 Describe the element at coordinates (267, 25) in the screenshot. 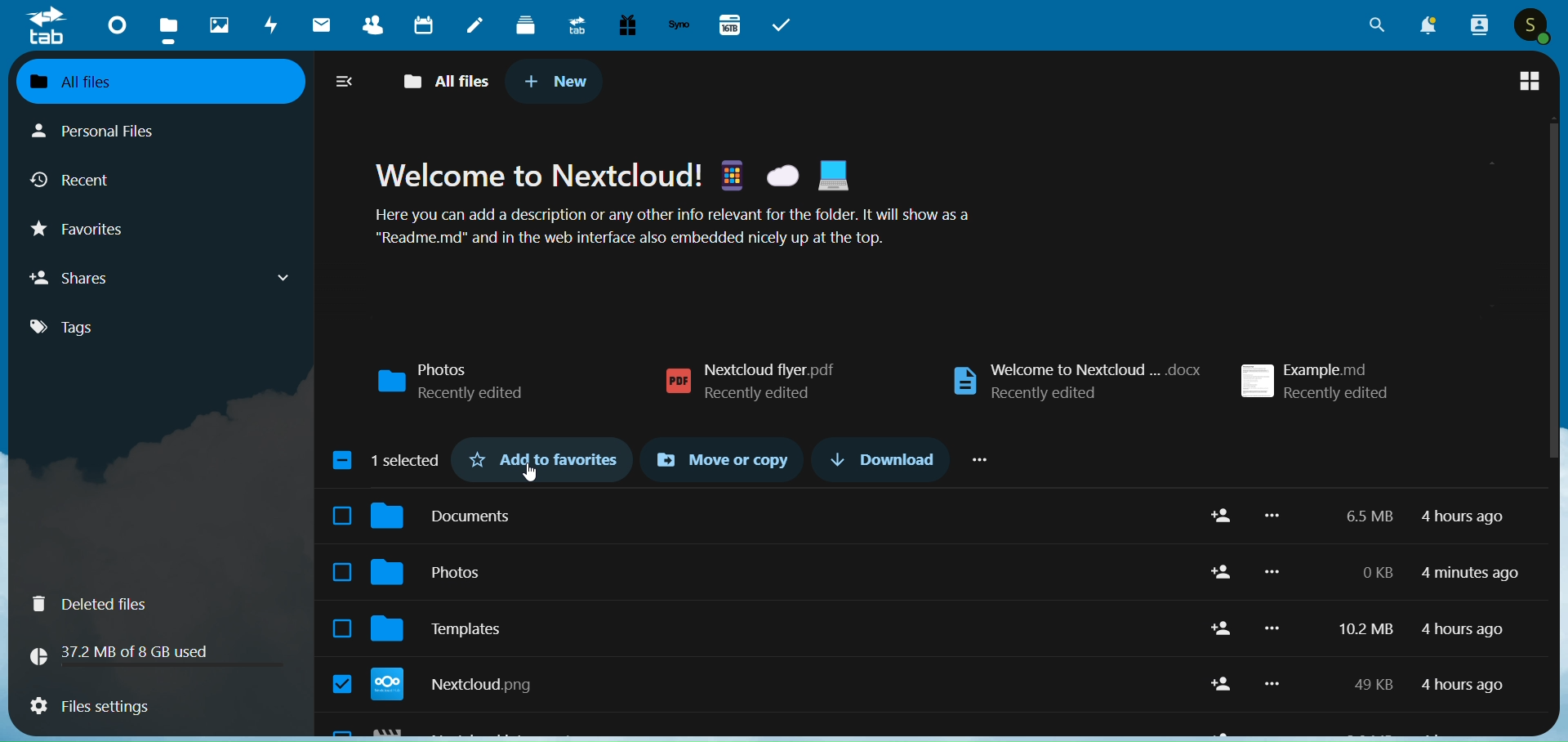

I see `activity` at that location.